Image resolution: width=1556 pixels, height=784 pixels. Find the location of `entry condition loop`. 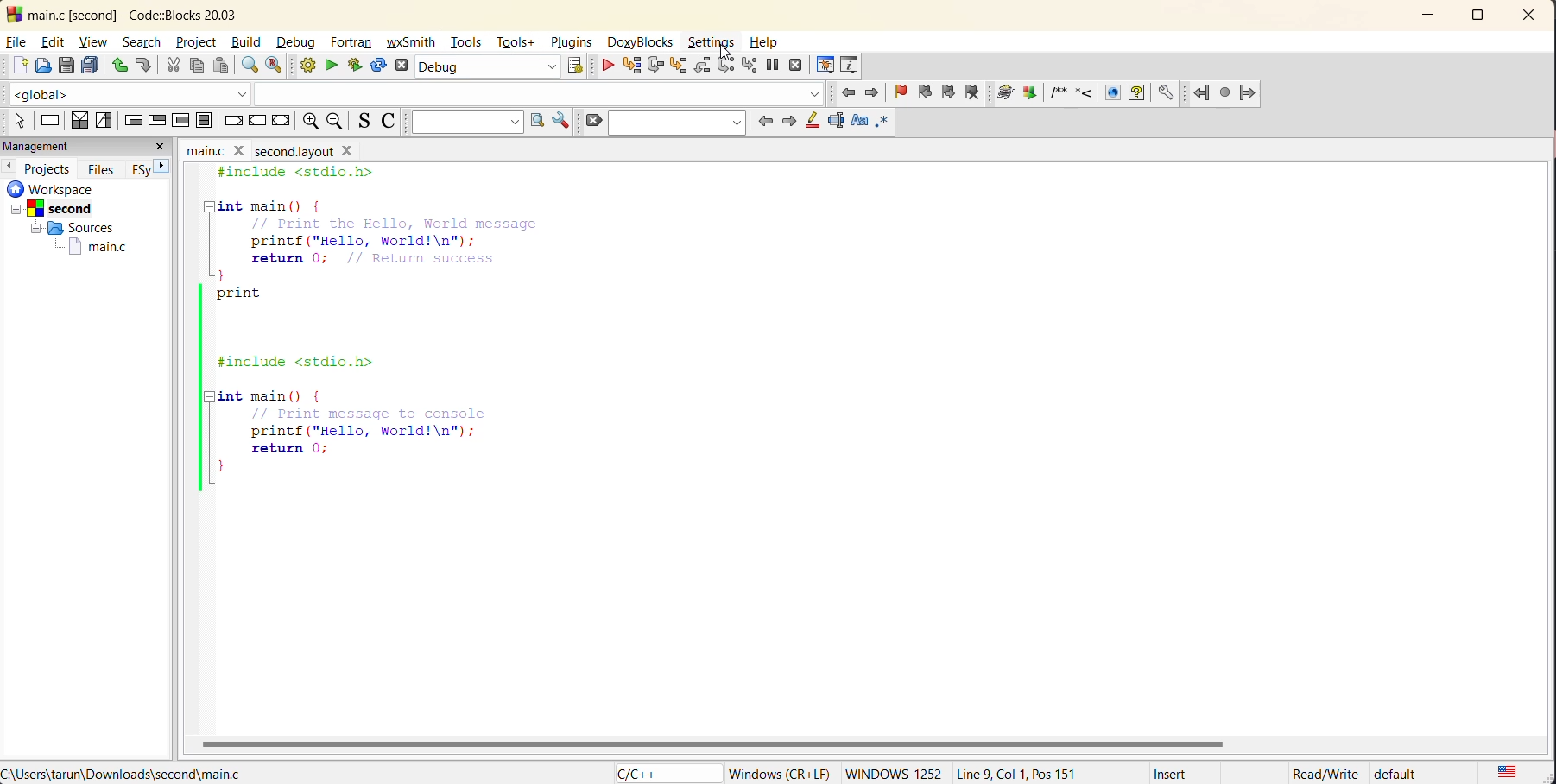

entry condition loop is located at coordinates (132, 121).